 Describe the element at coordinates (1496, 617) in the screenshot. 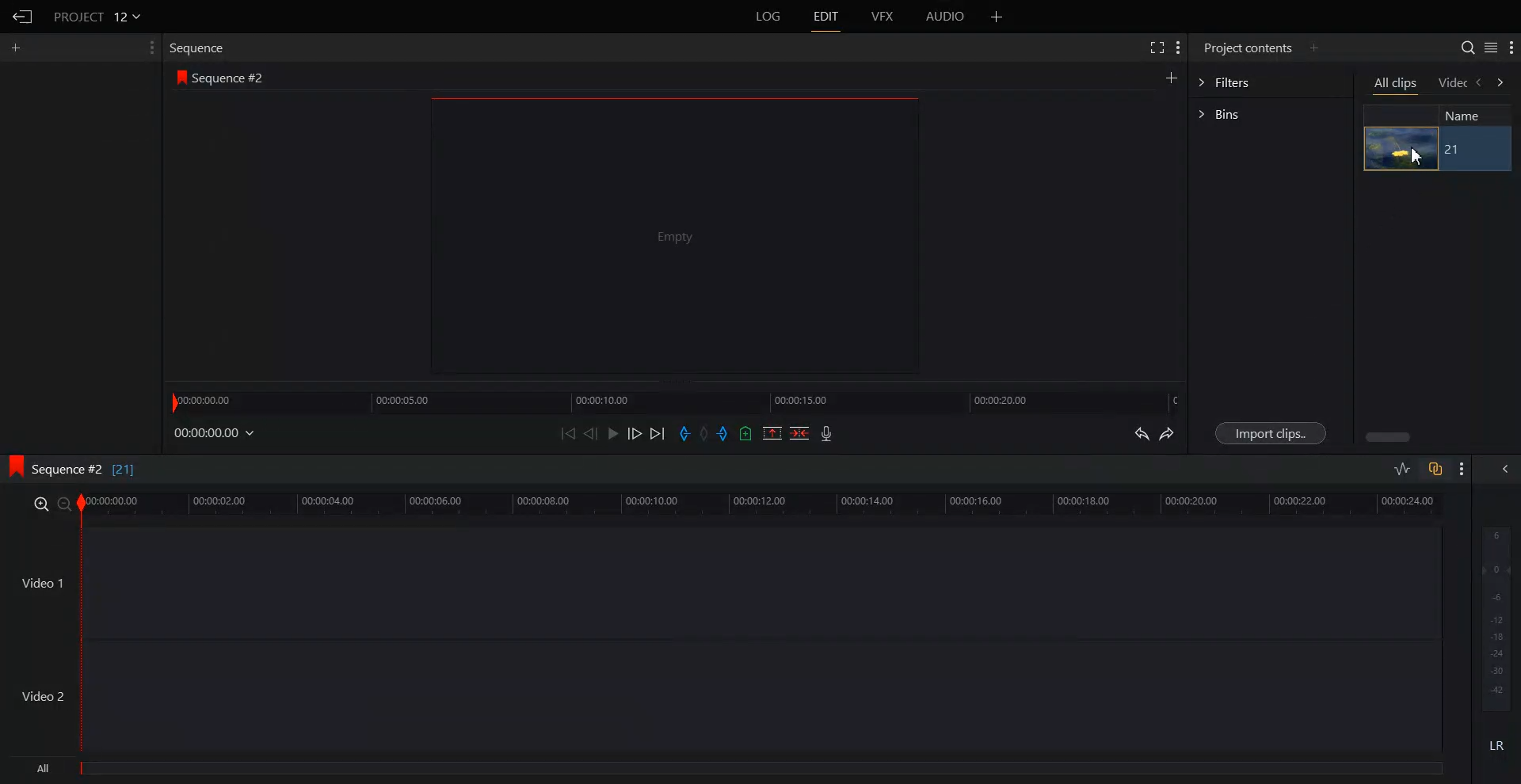

I see `Audio output in Db` at that location.